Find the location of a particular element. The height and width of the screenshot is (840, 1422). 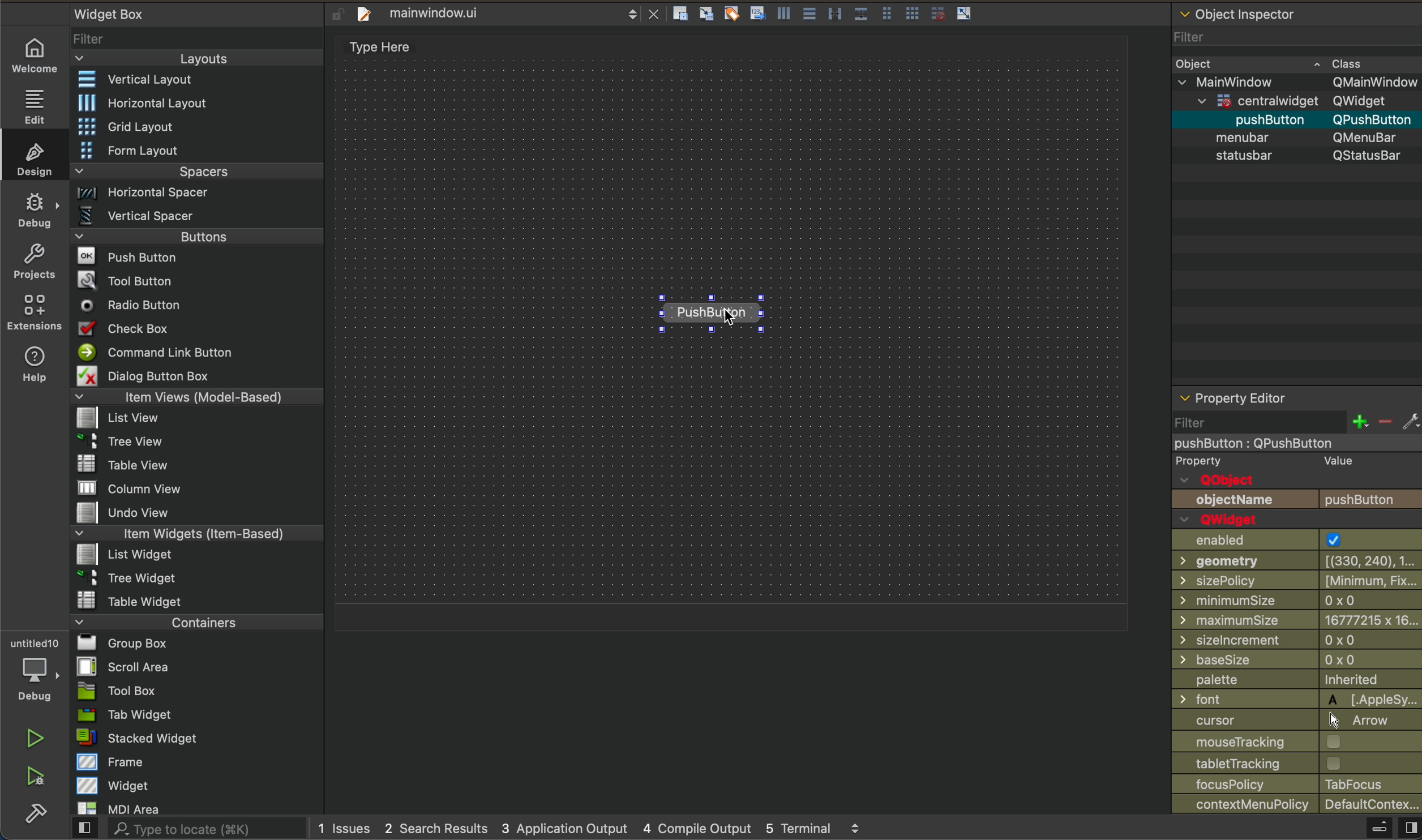

group box is located at coordinates (194, 646).